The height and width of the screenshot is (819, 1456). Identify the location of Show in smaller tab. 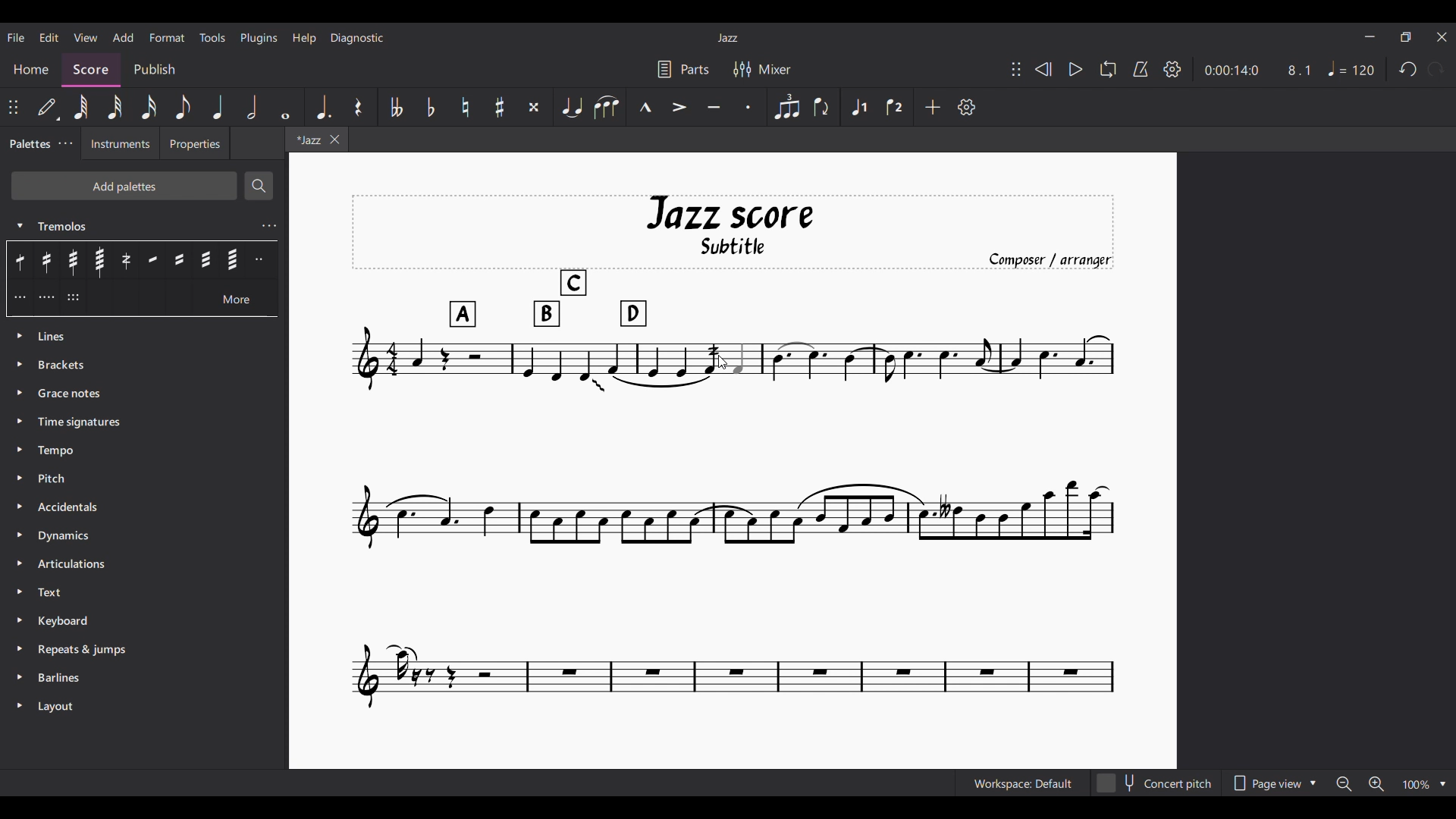
(1406, 36).